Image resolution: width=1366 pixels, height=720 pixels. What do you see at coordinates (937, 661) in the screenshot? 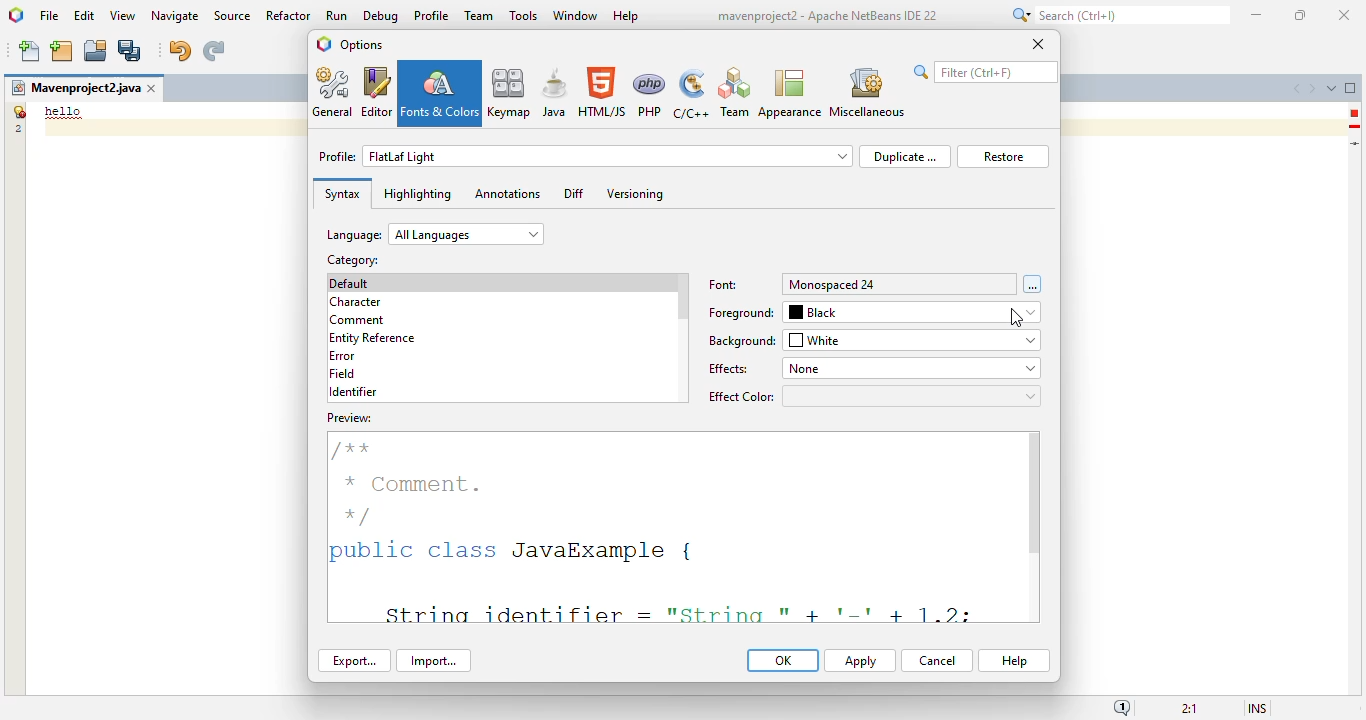
I see `cancel` at bounding box center [937, 661].